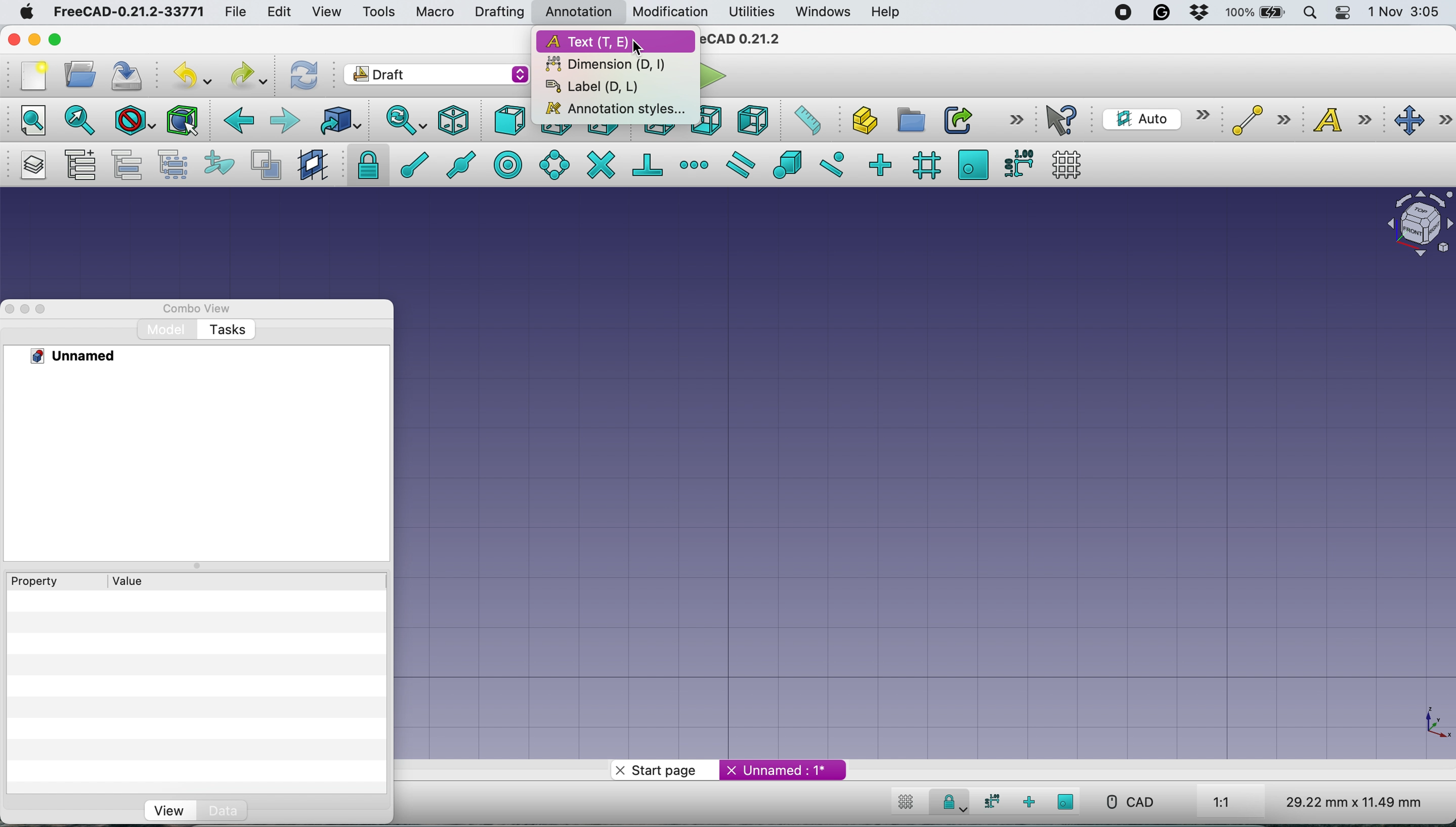  I want to click on model, so click(160, 331).